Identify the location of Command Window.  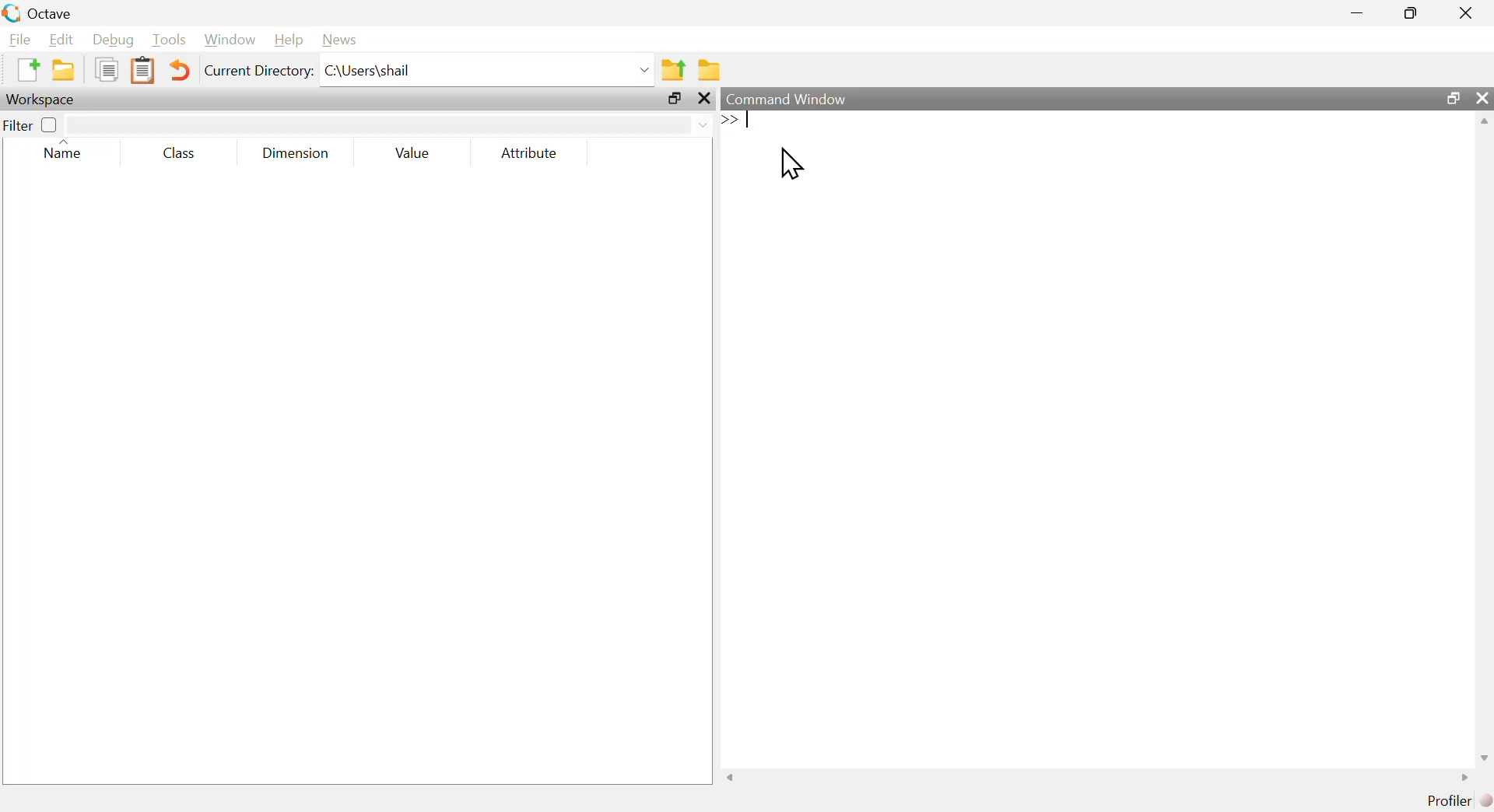
(789, 98).